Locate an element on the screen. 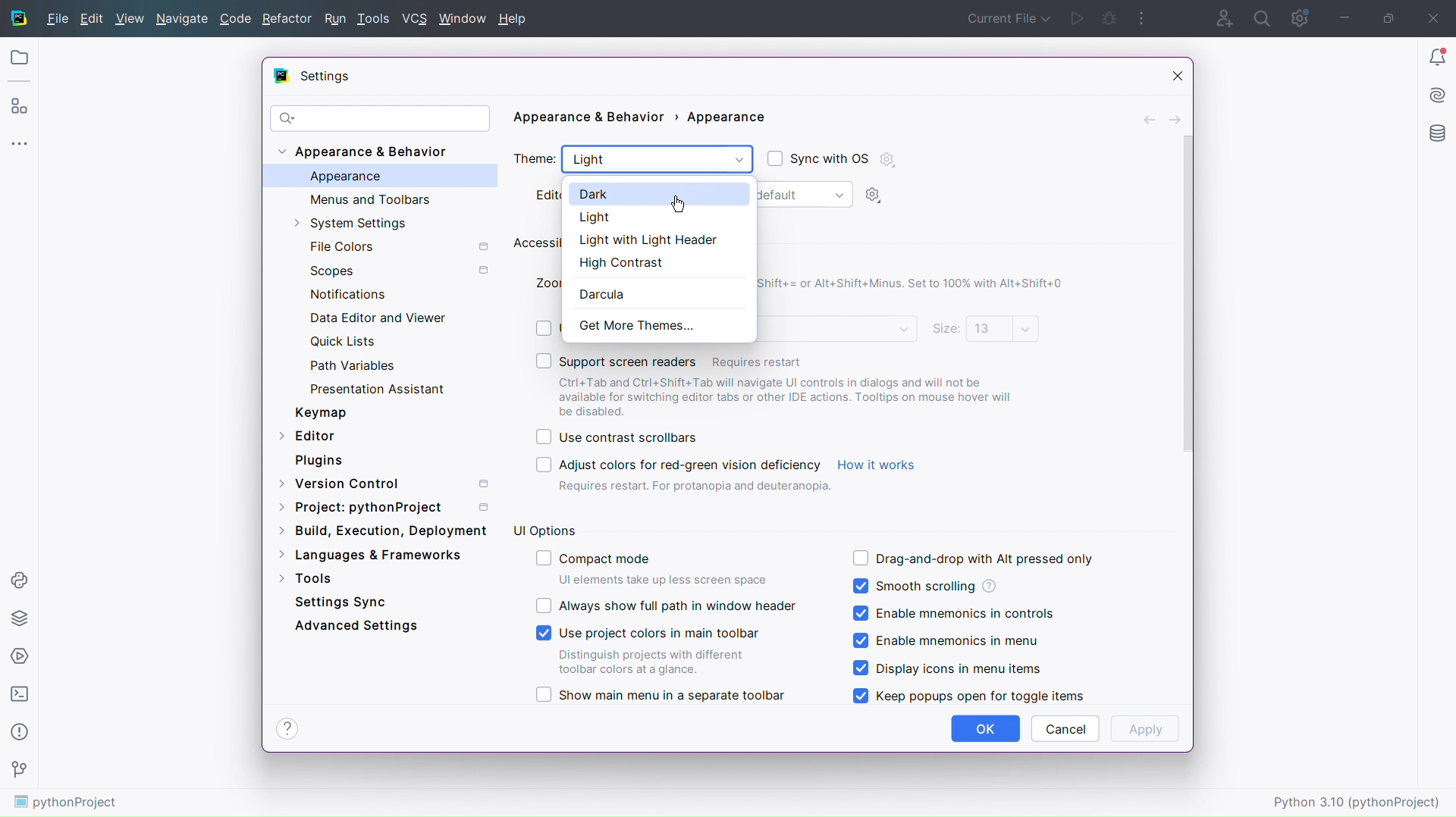  Python Console is located at coordinates (20, 578).